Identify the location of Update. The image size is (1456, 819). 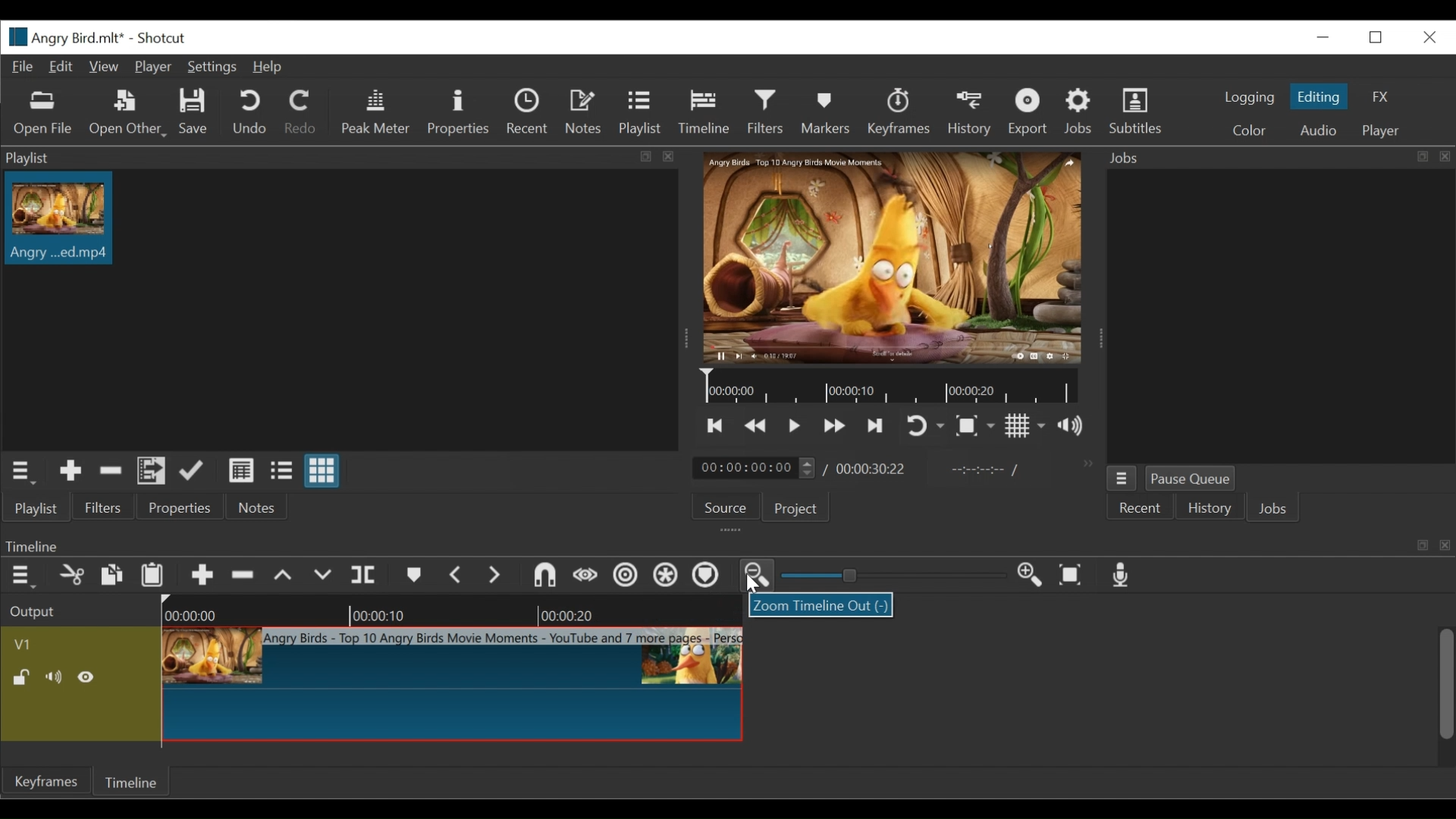
(193, 471).